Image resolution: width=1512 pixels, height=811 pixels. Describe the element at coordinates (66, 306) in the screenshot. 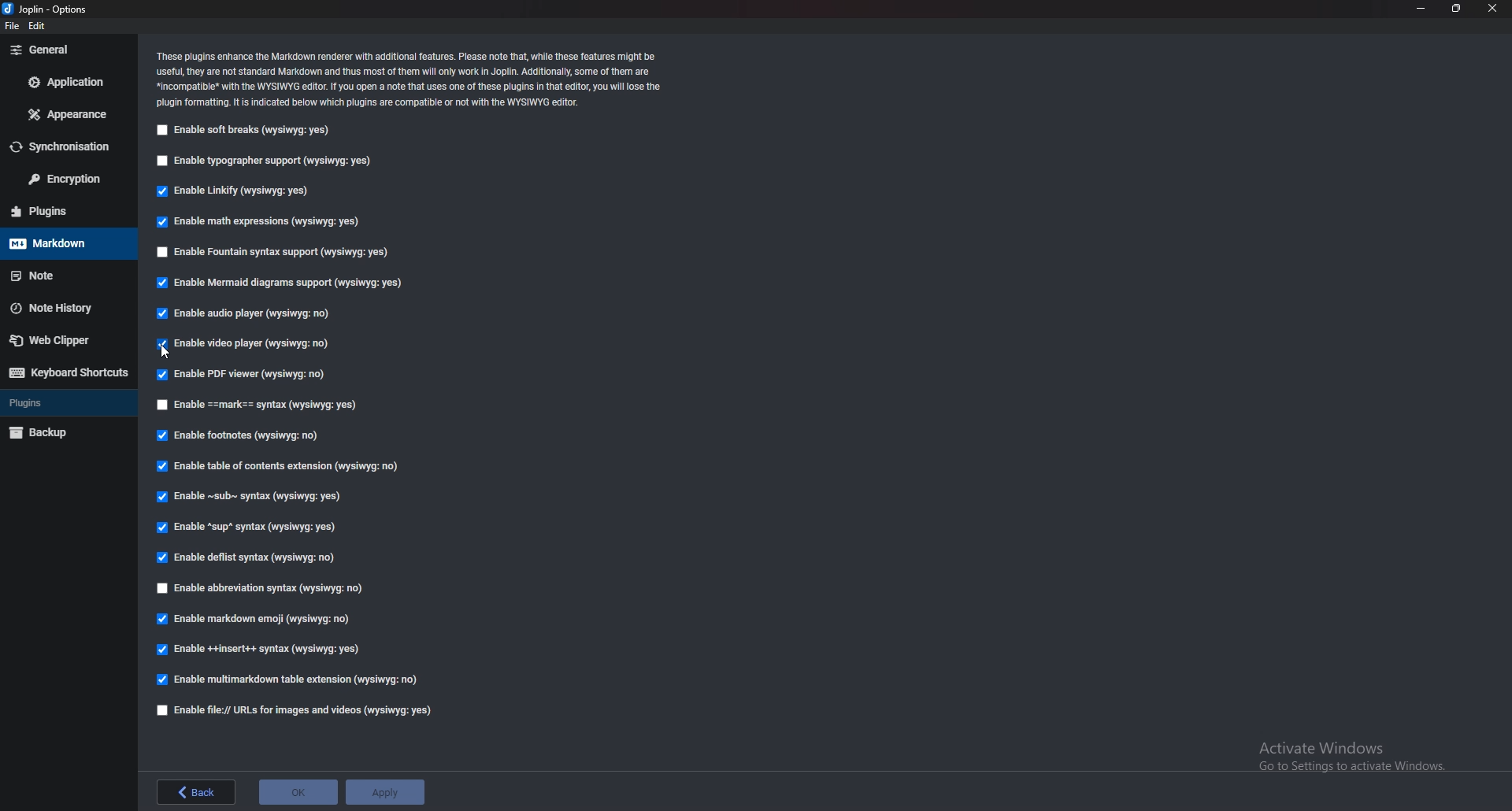

I see `note history` at that location.